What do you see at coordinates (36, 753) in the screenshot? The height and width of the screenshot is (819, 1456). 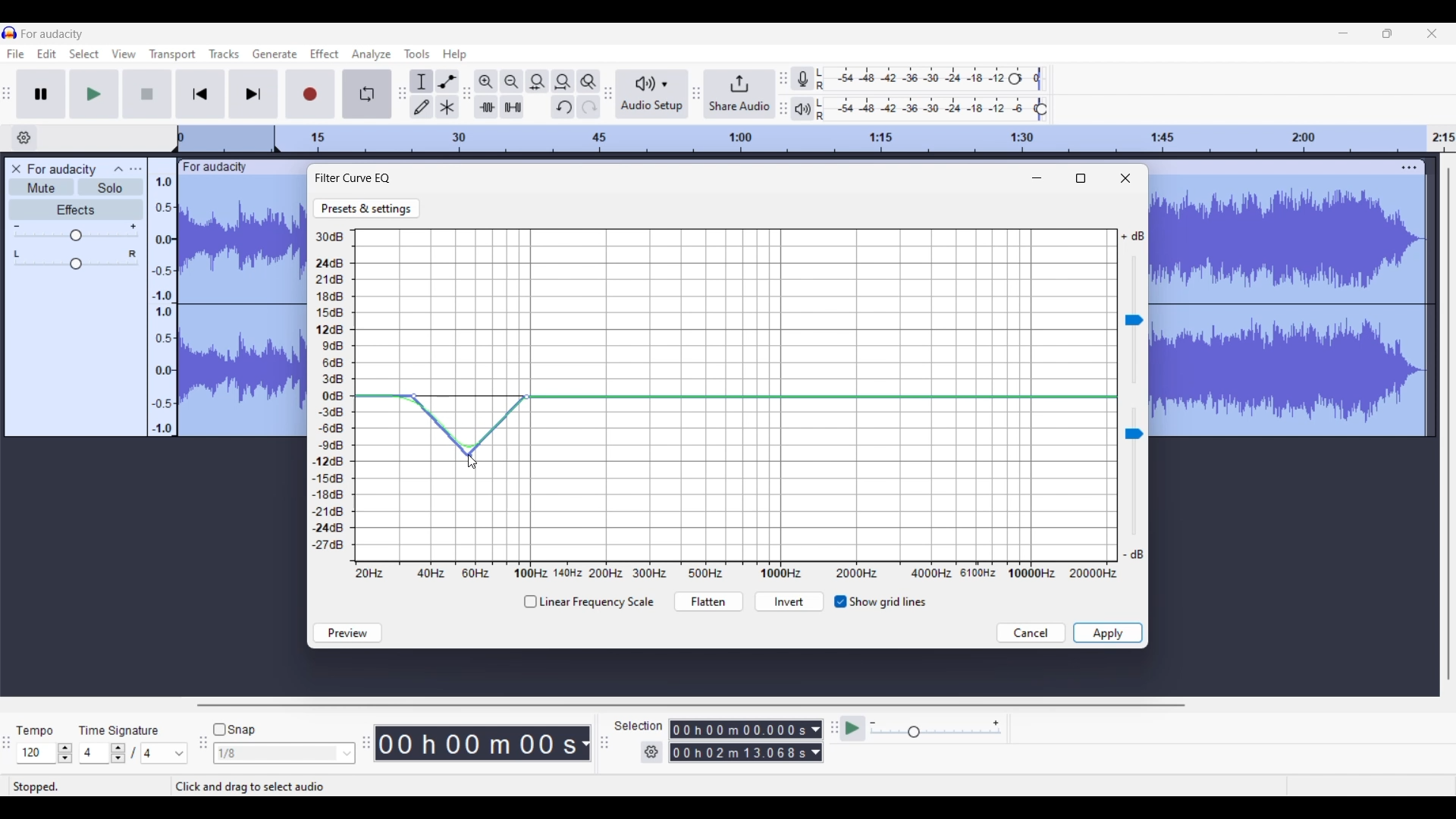 I see `Type in tempo` at bounding box center [36, 753].